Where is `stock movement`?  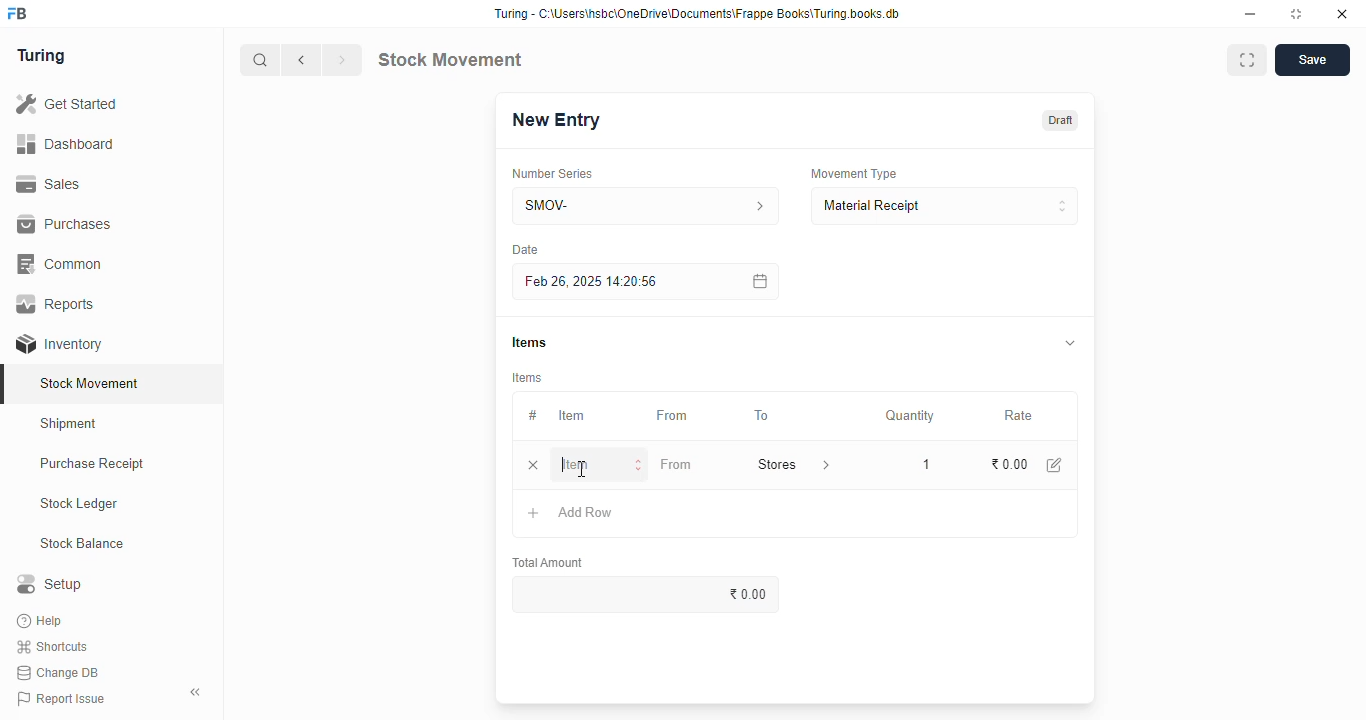 stock movement is located at coordinates (449, 59).